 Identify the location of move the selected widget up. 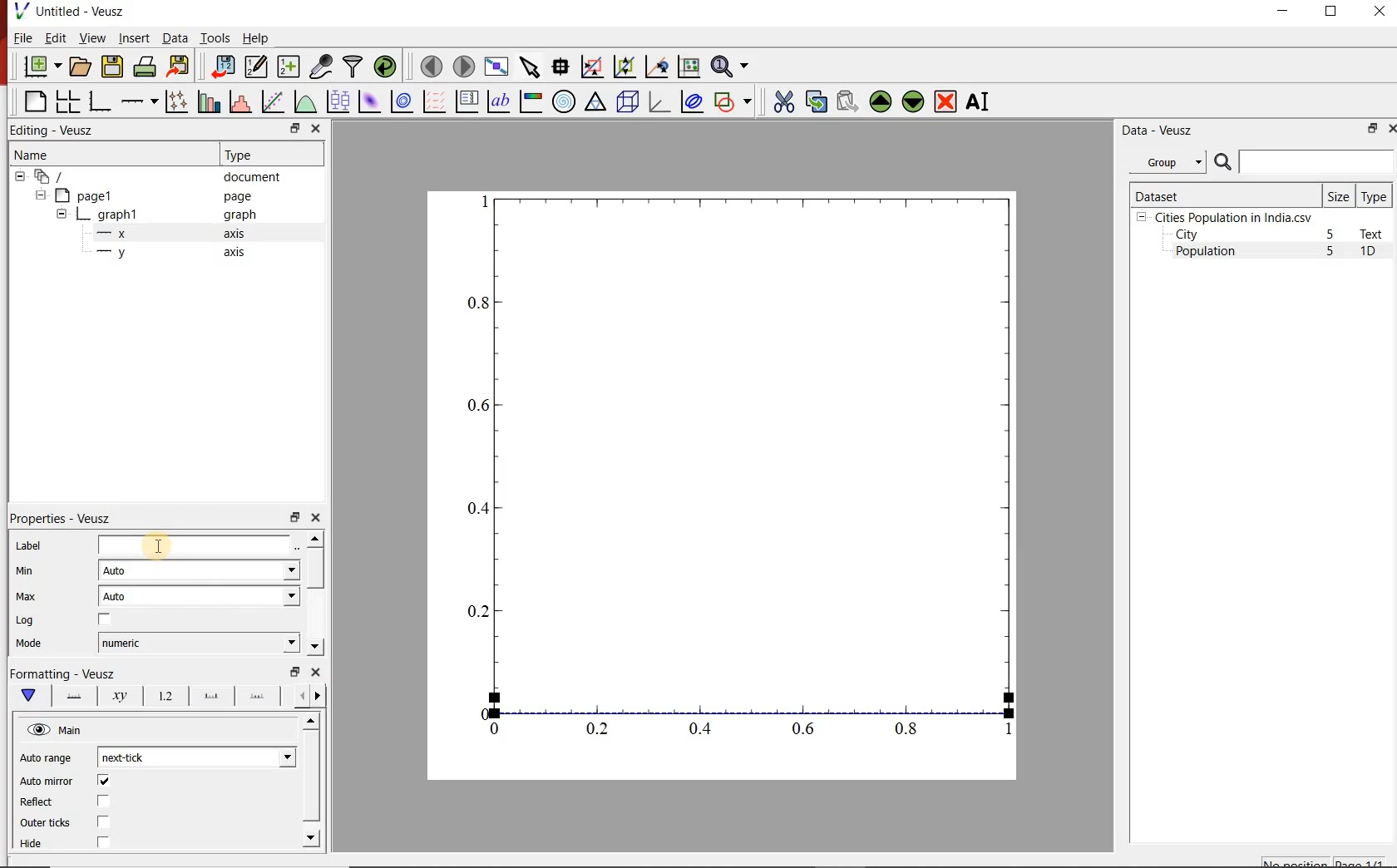
(881, 101).